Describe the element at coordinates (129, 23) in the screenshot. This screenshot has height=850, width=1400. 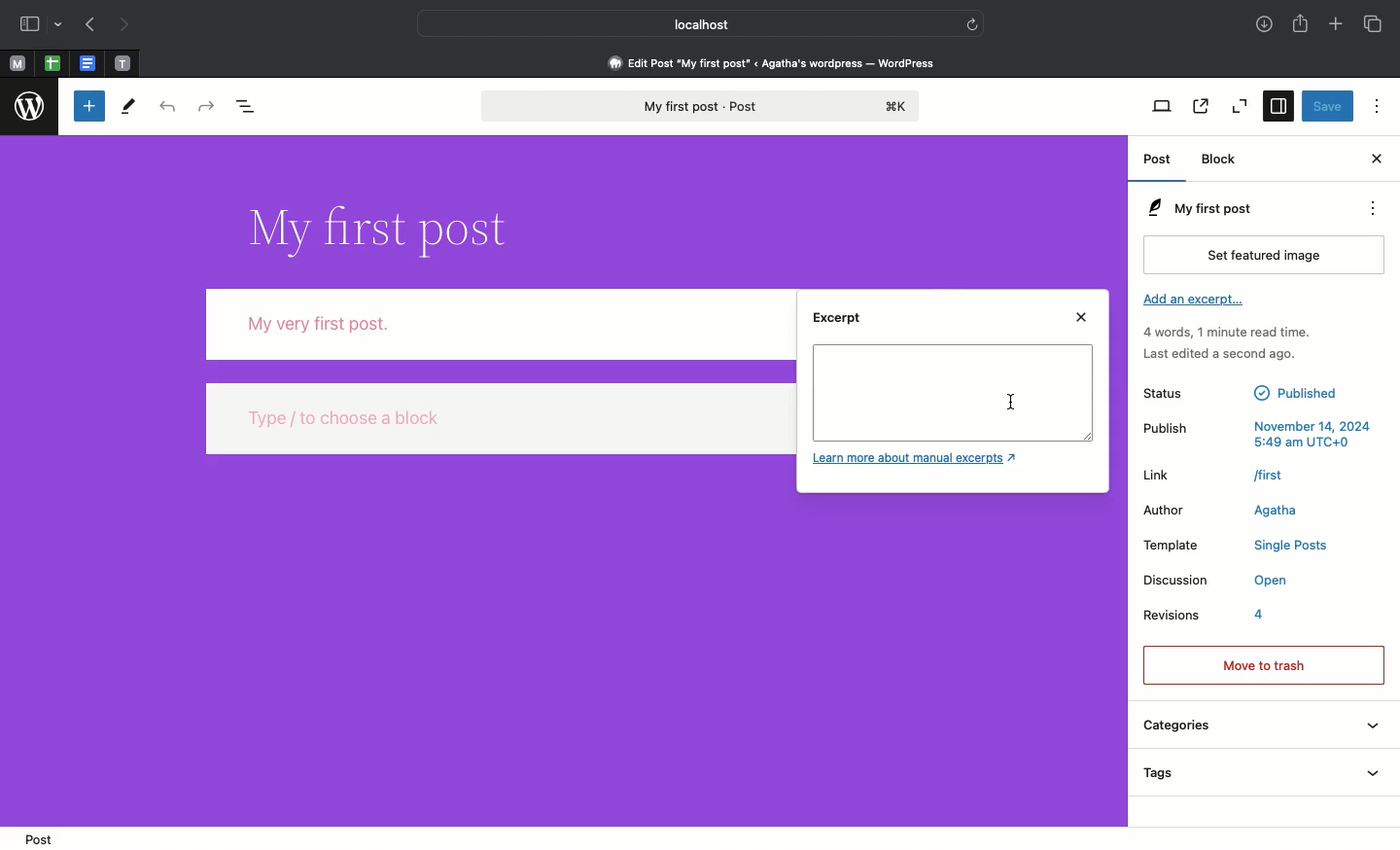
I see `Next page` at that location.